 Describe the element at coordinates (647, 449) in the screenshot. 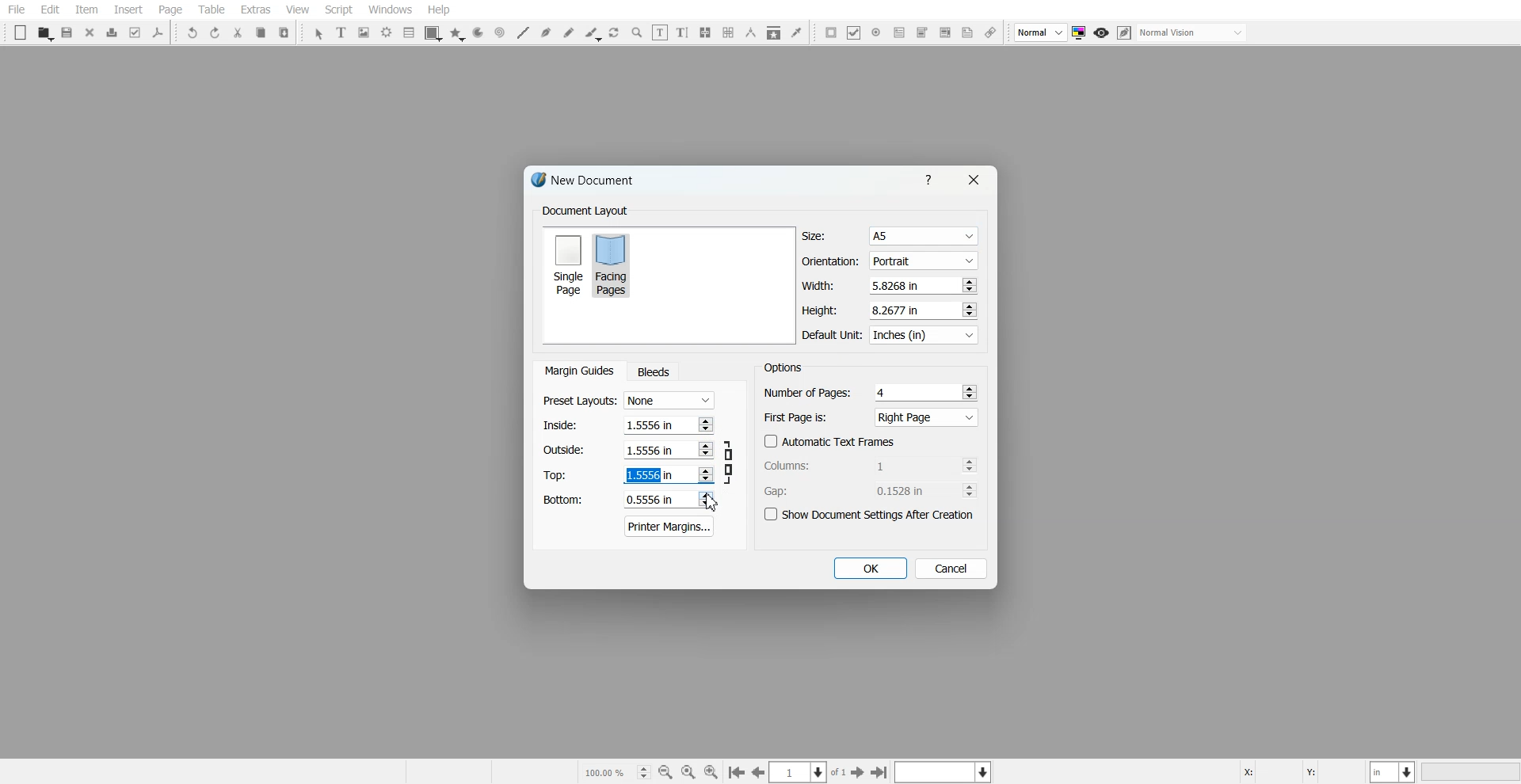

I see `1.5556 in` at that location.